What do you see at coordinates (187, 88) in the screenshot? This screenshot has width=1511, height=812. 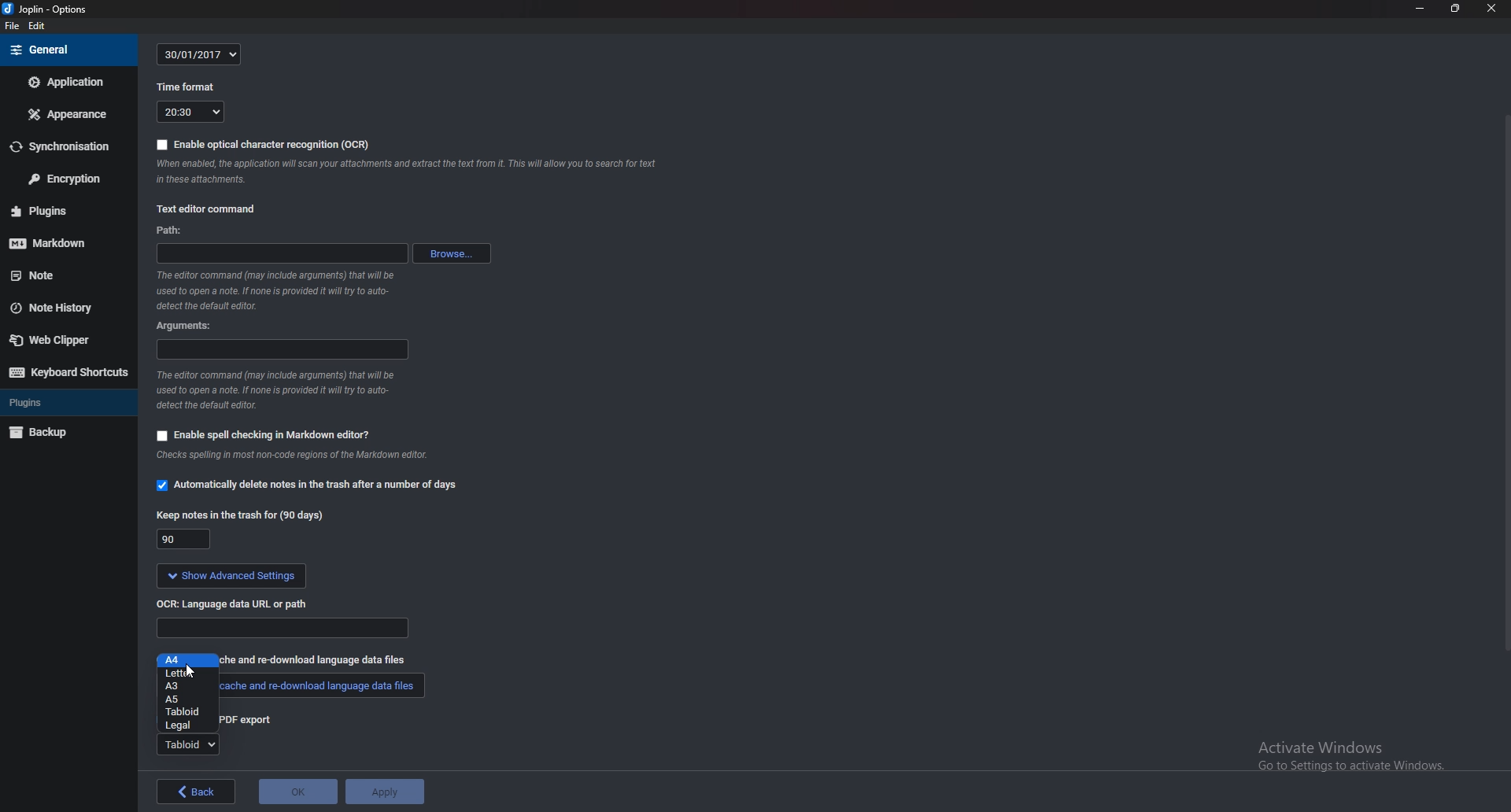 I see `time format` at bounding box center [187, 88].